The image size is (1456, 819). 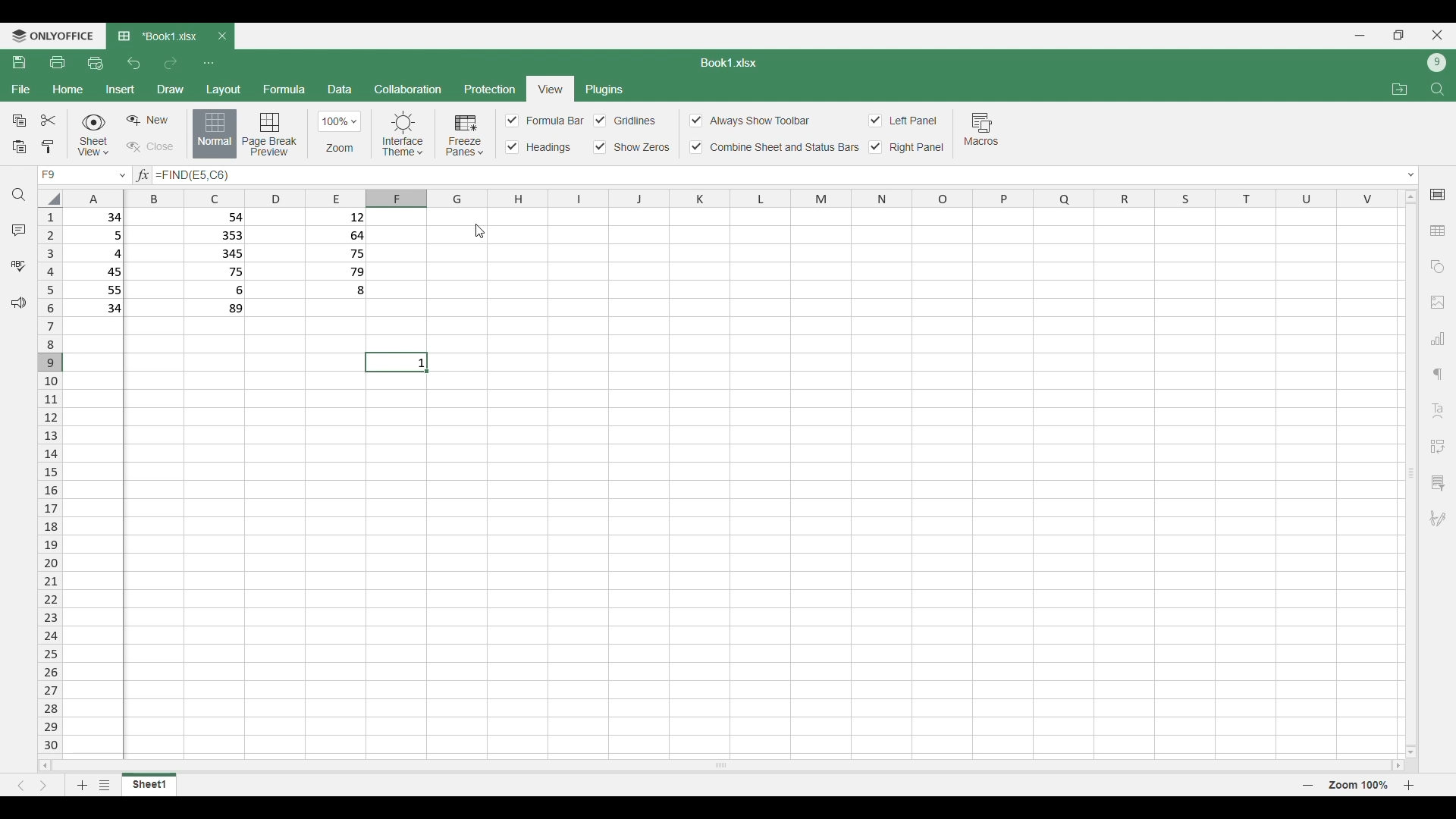 I want to click on Cut, so click(x=48, y=120).